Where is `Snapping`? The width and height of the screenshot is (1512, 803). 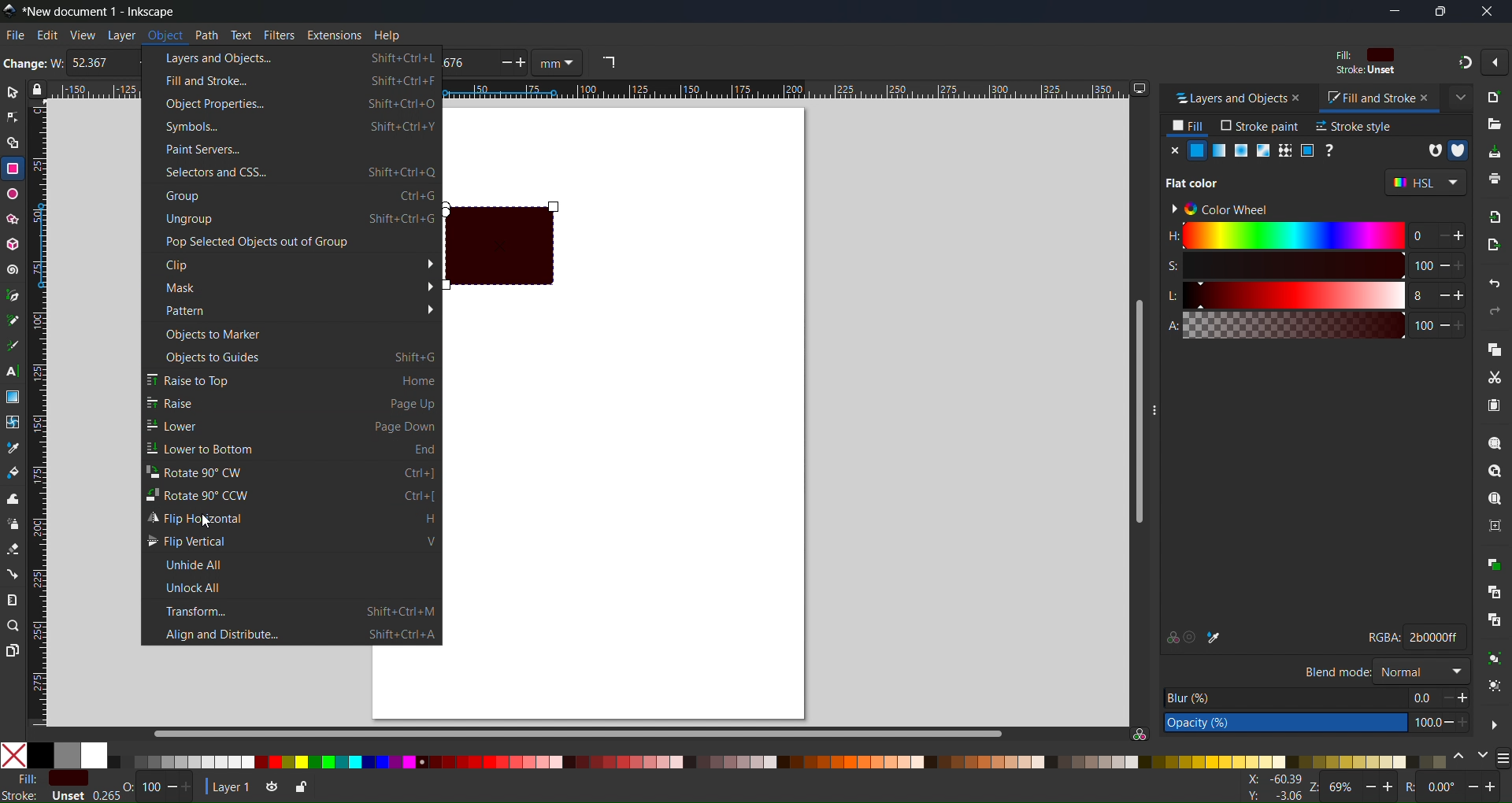 Snapping is located at coordinates (1462, 61).